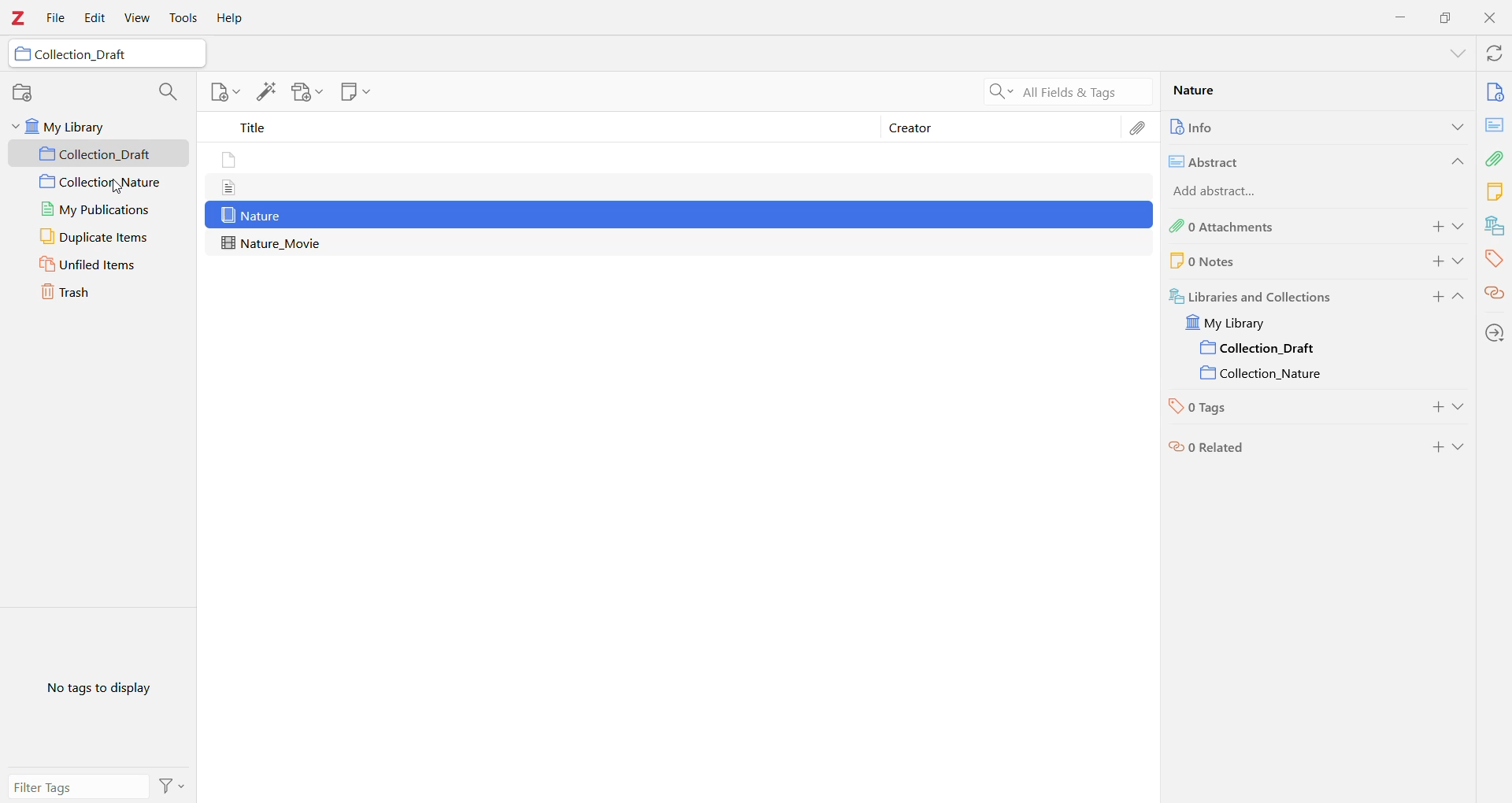  Describe the element at coordinates (94, 18) in the screenshot. I see `Edit` at that location.